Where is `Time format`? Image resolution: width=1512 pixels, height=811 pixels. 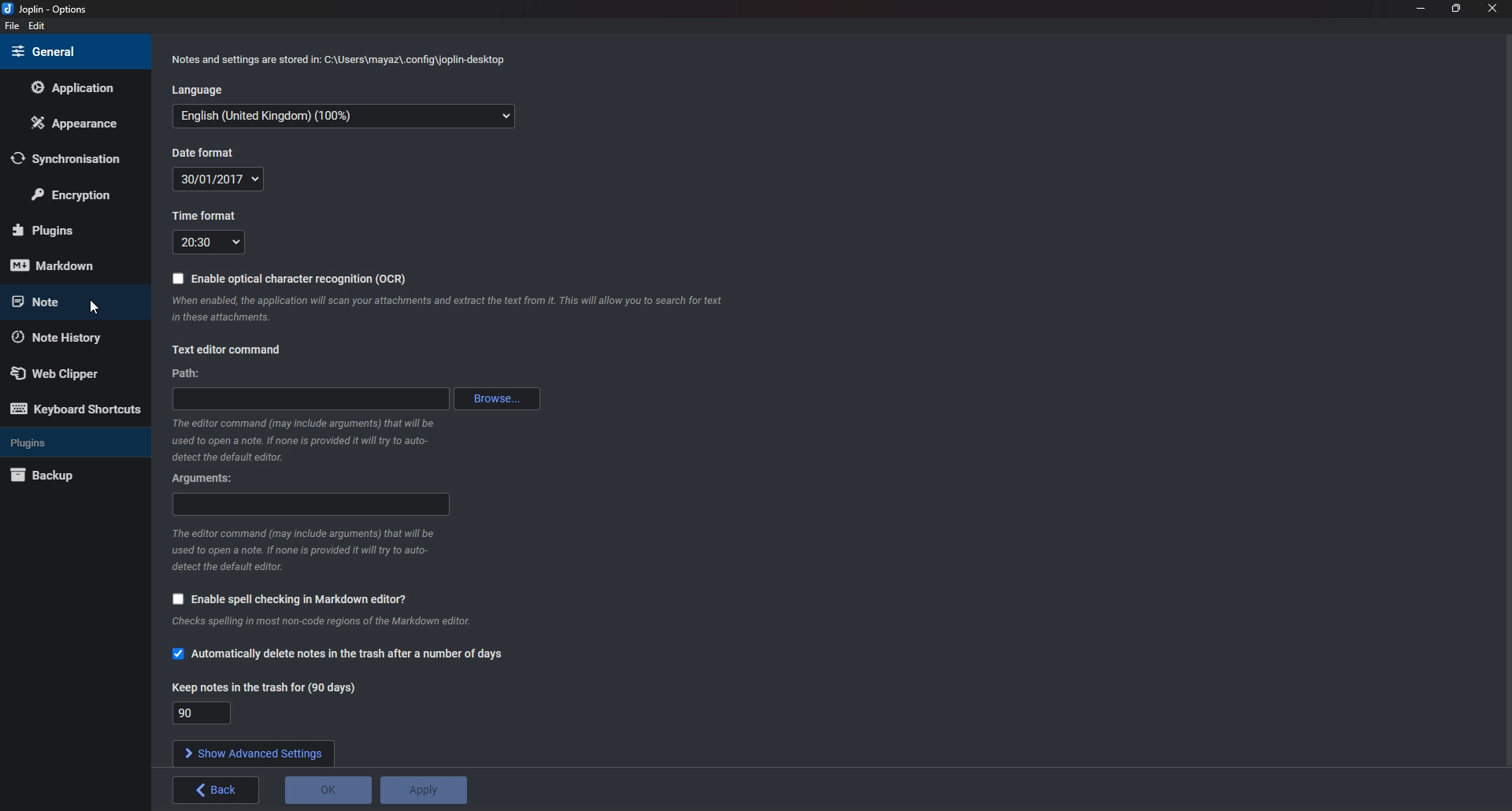
Time format is located at coordinates (210, 217).